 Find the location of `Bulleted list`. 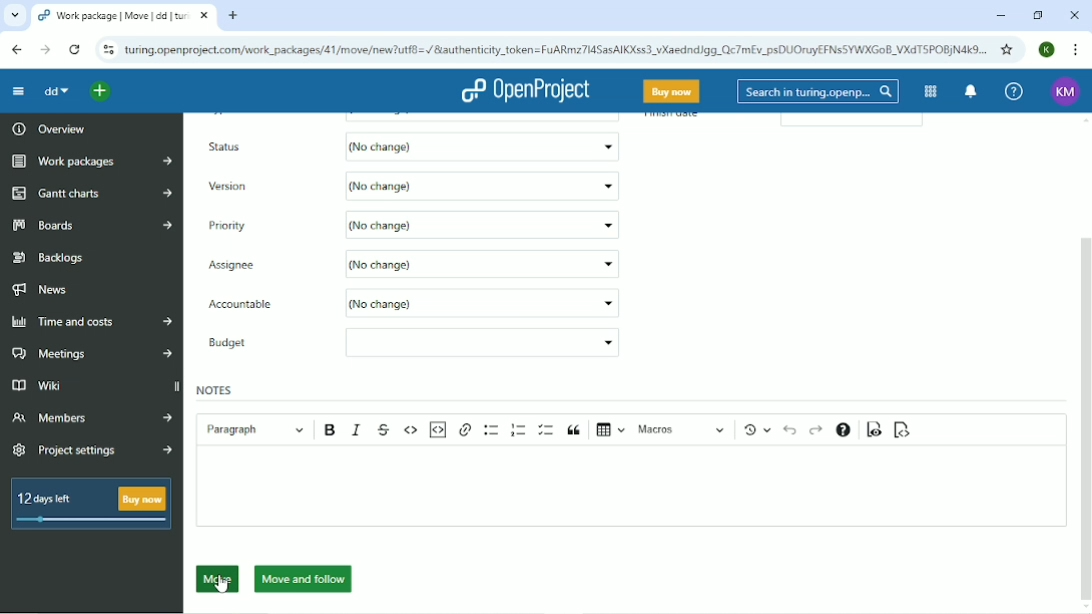

Bulleted list is located at coordinates (492, 428).